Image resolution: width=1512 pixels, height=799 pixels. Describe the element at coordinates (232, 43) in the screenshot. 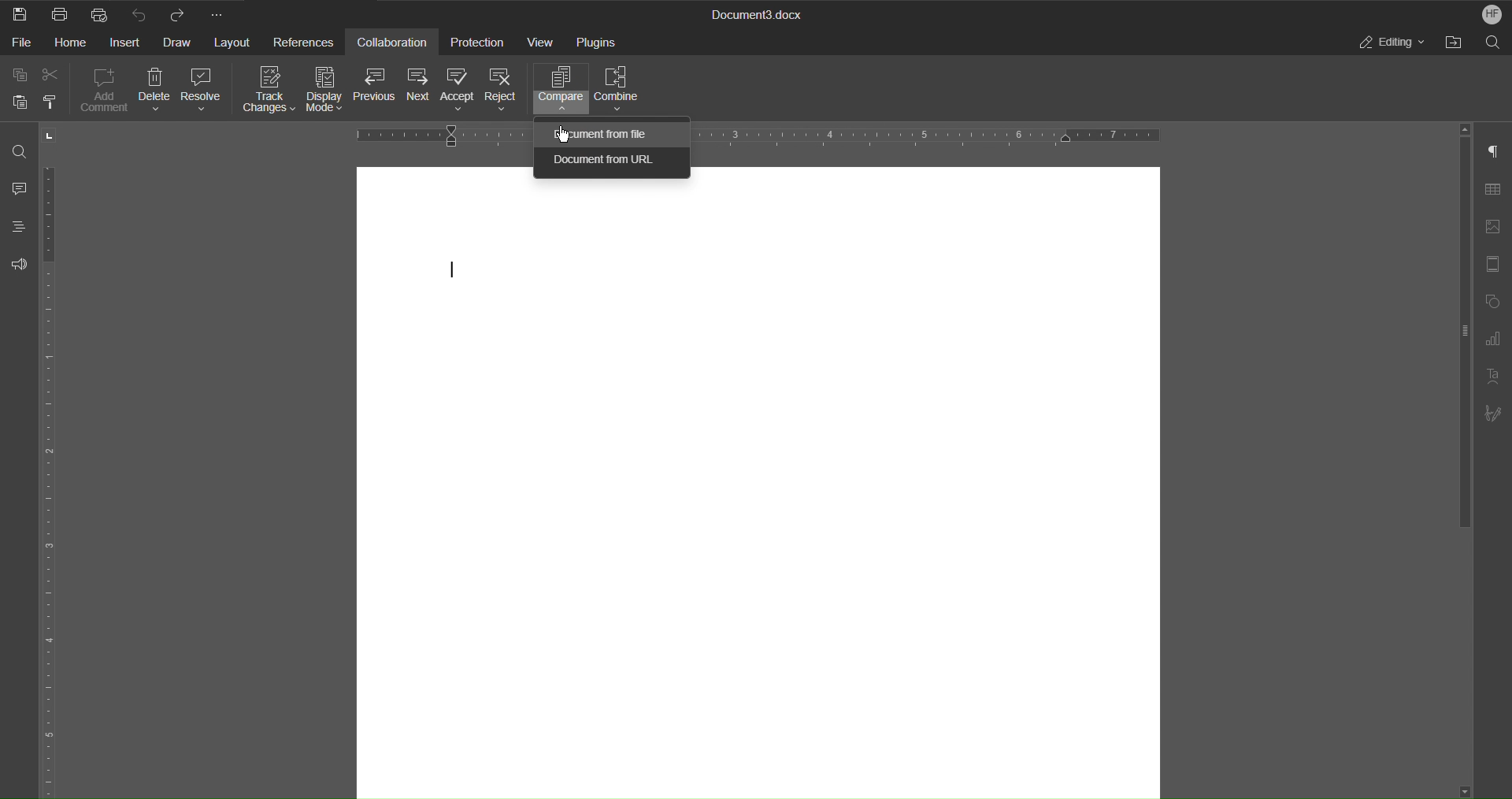

I see `Layout` at that location.